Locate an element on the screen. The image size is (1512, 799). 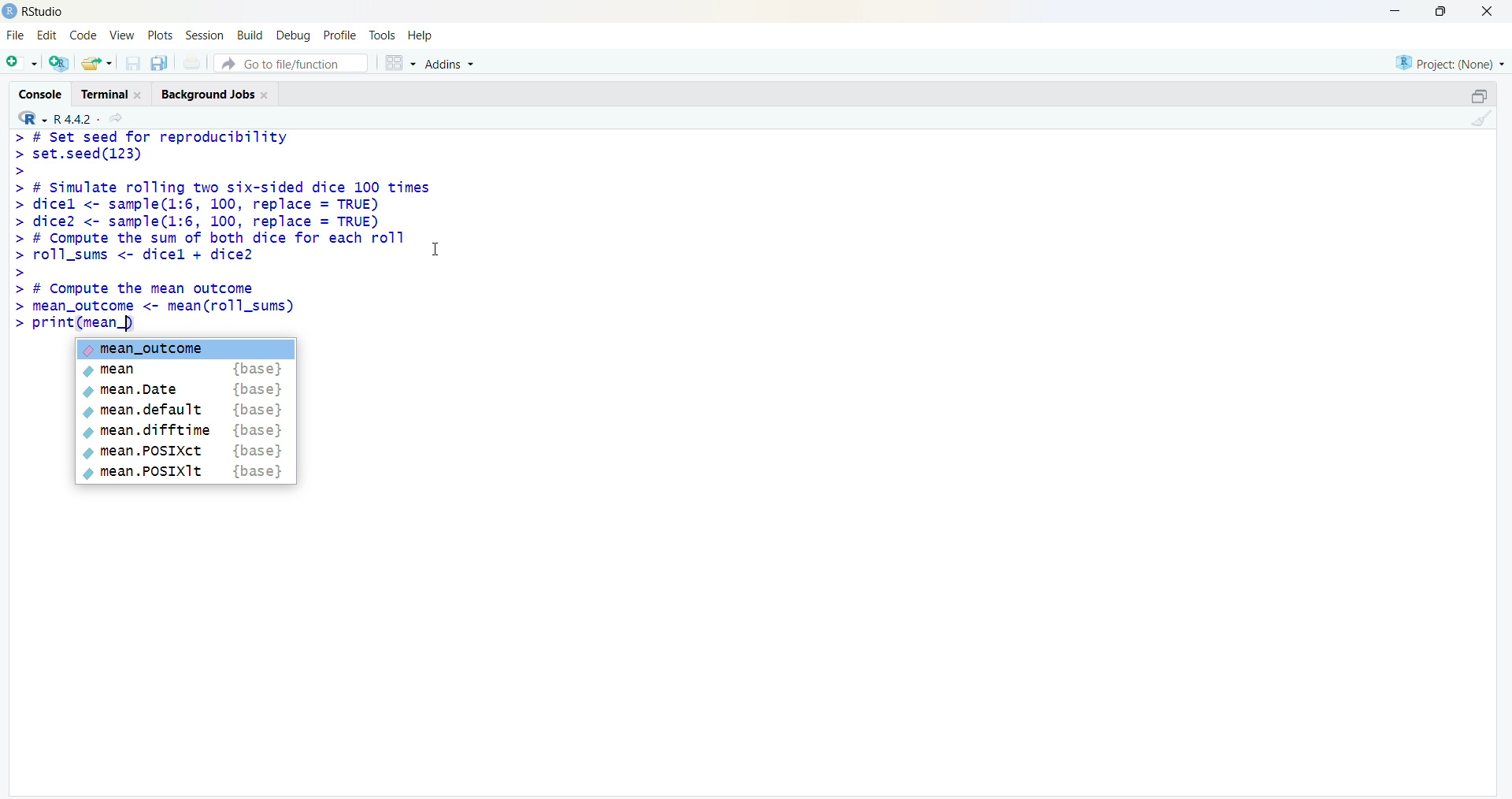
maximise is located at coordinates (1445, 11).